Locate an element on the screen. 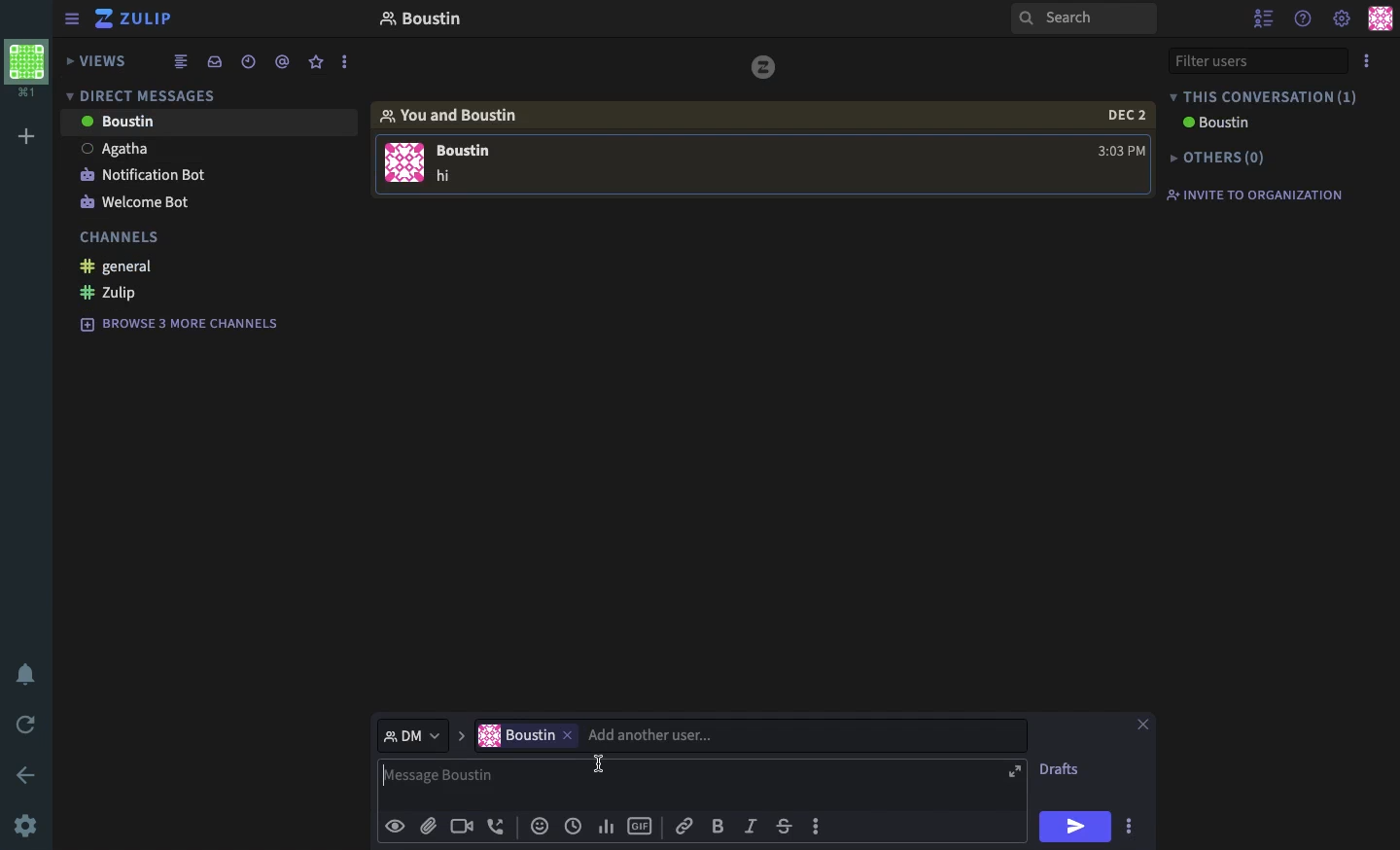  Agatha is located at coordinates (118, 150).